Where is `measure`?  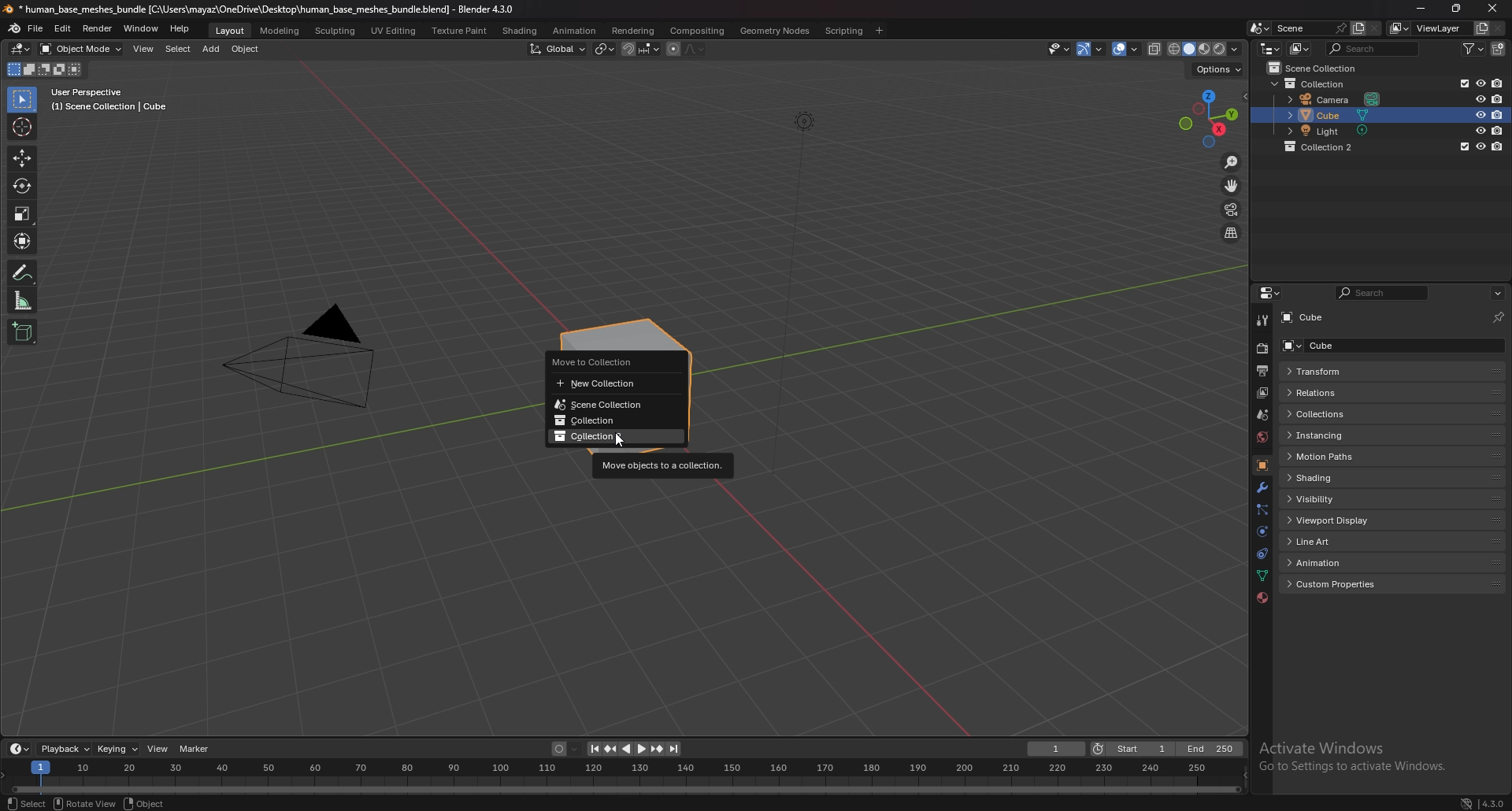 measure is located at coordinates (22, 301).